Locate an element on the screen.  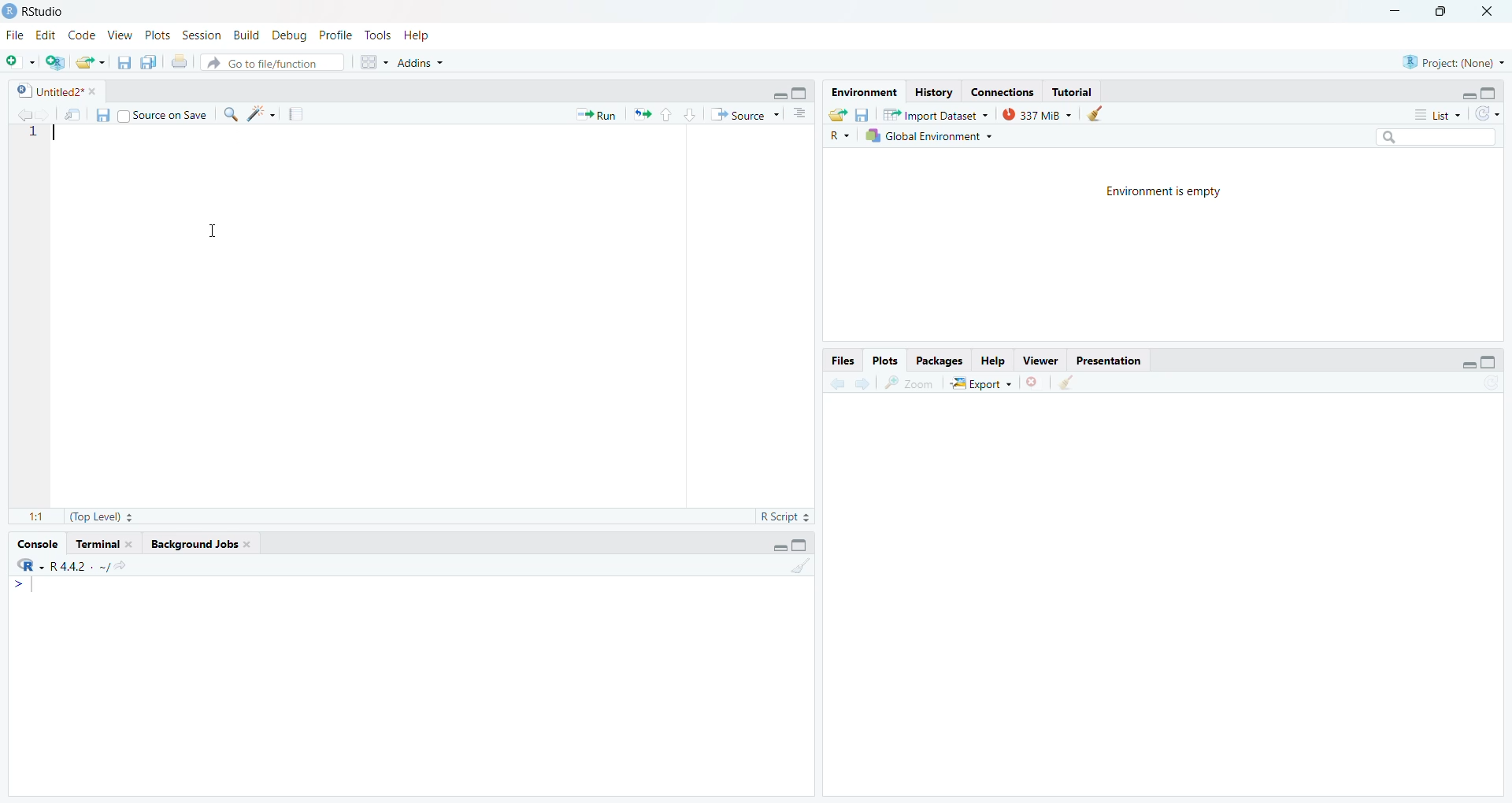
go to next section/chunk is located at coordinates (692, 115).